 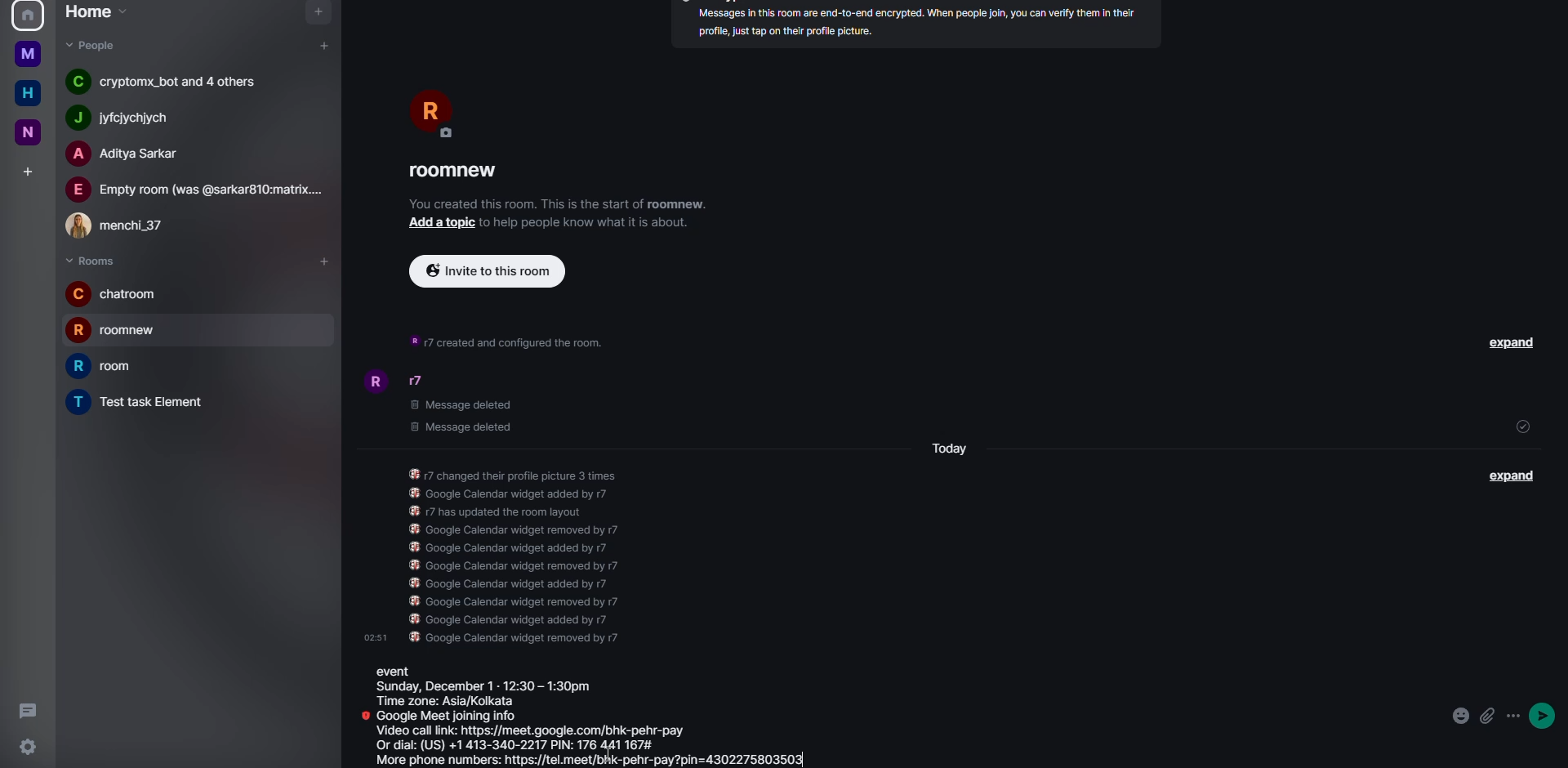 I want to click on people, so click(x=198, y=190).